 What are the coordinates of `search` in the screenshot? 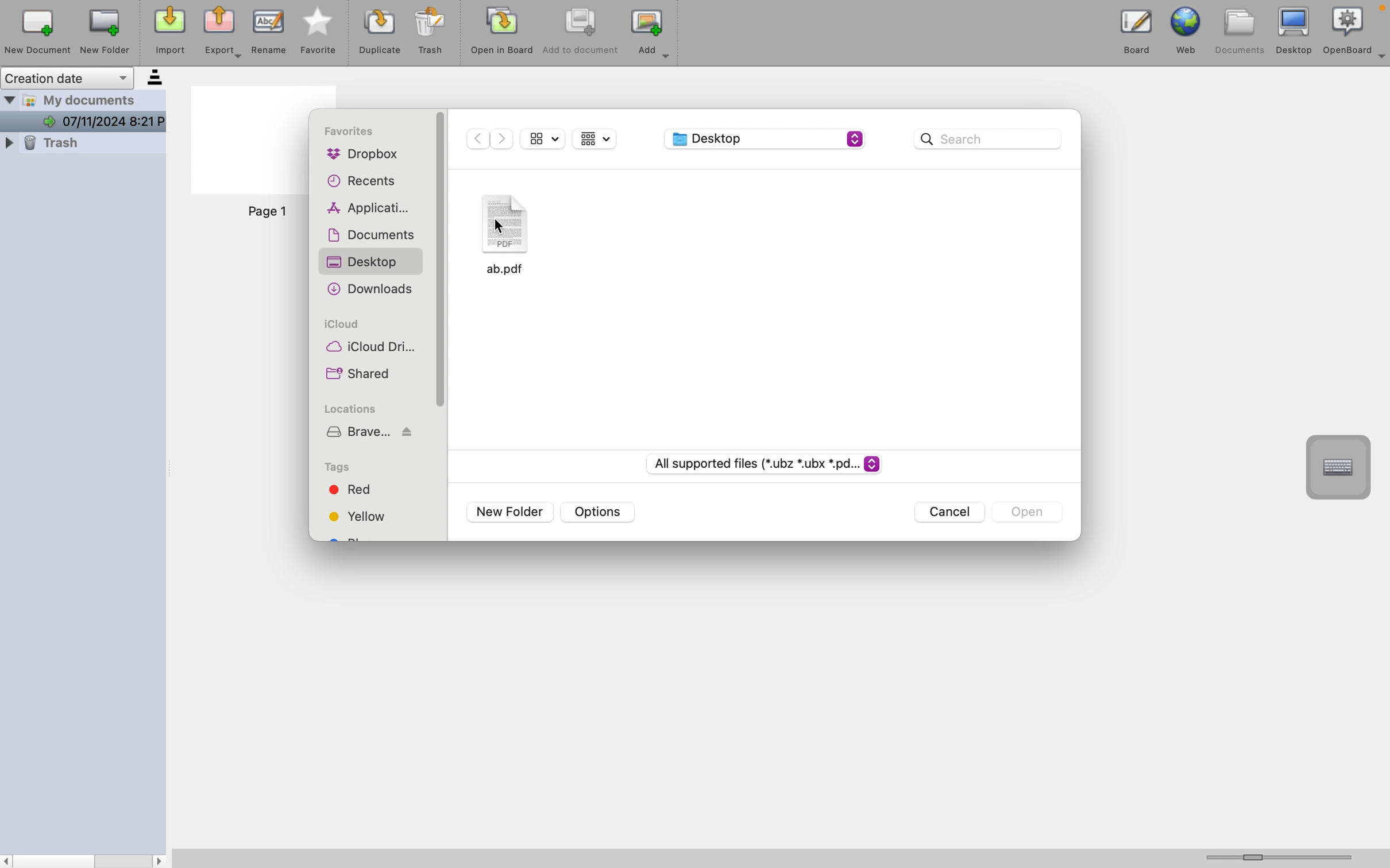 It's located at (989, 140).